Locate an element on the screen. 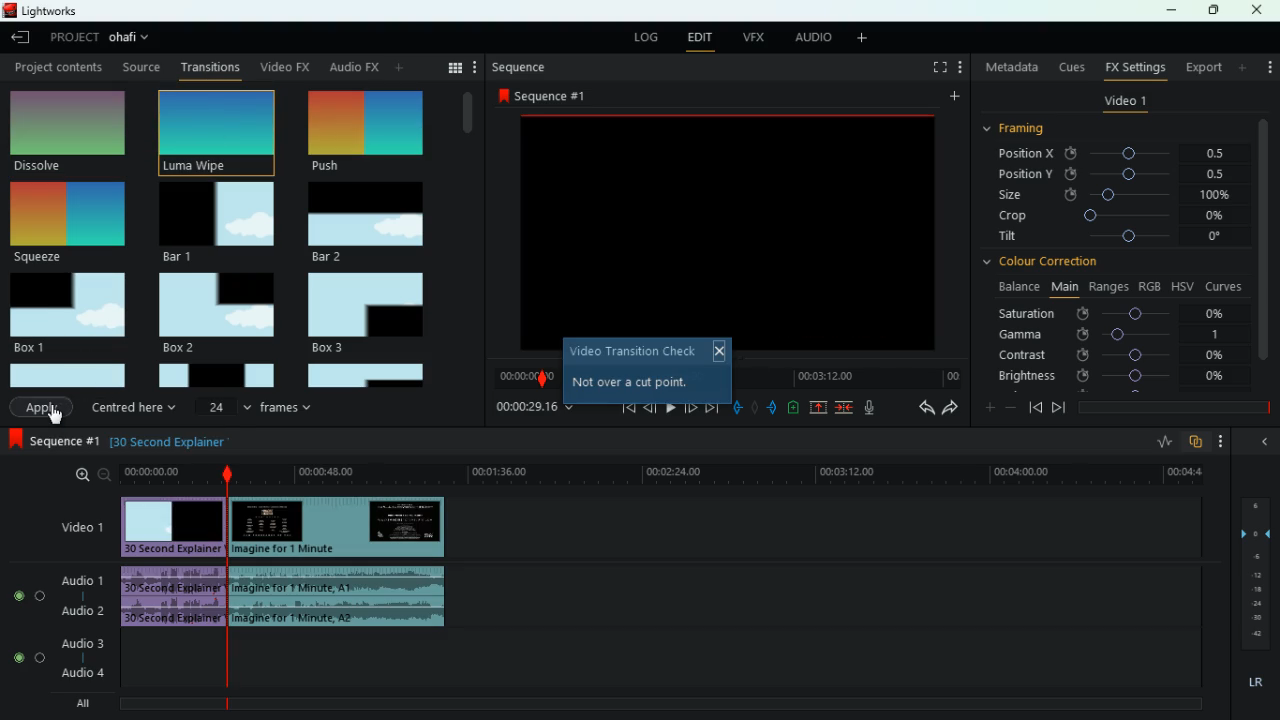 Image resolution: width=1280 pixels, height=720 pixels. dissolve is located at coordinates (69, 133).